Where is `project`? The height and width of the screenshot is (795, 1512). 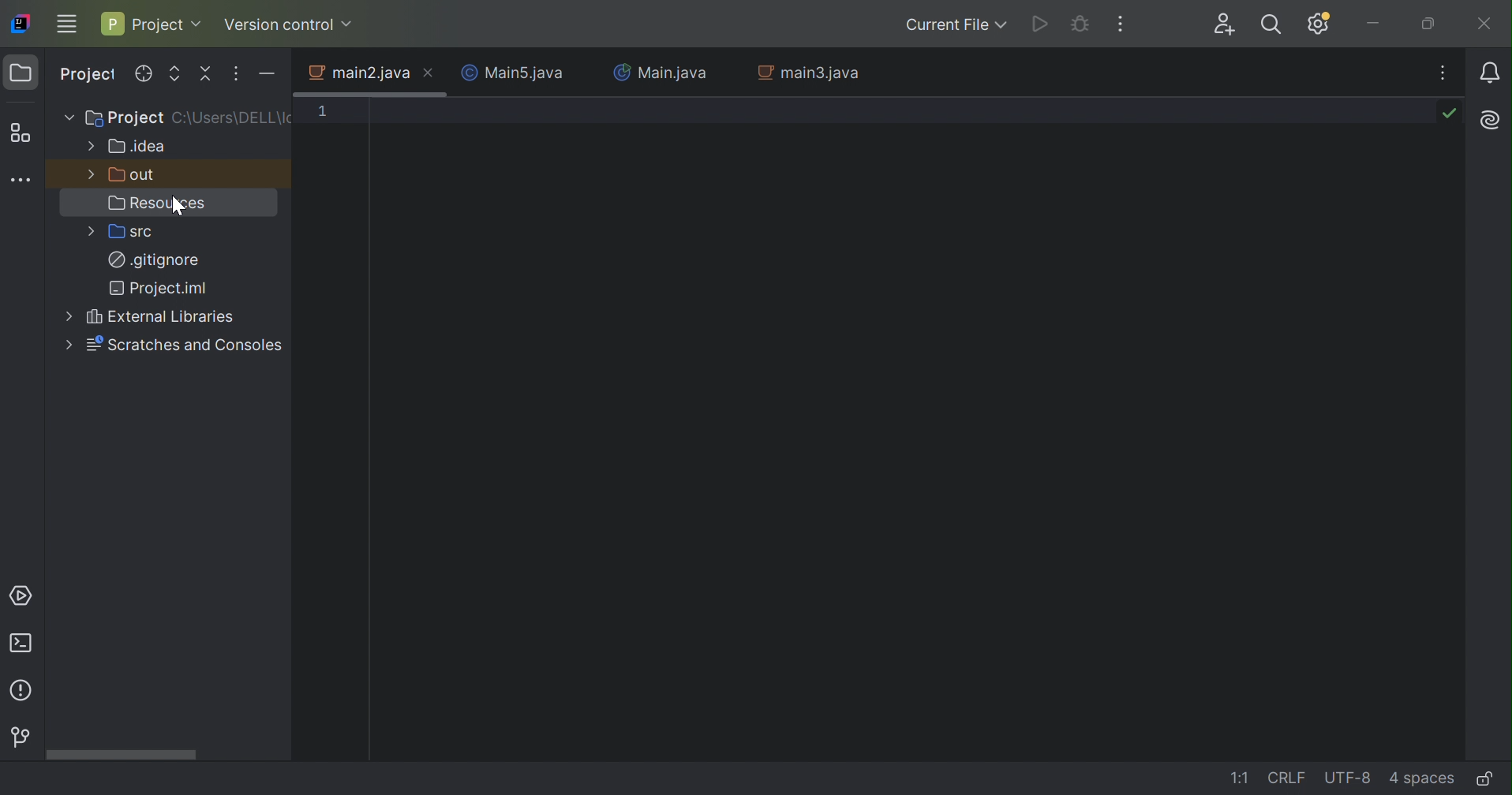
project is located at coordinates (88, 73).